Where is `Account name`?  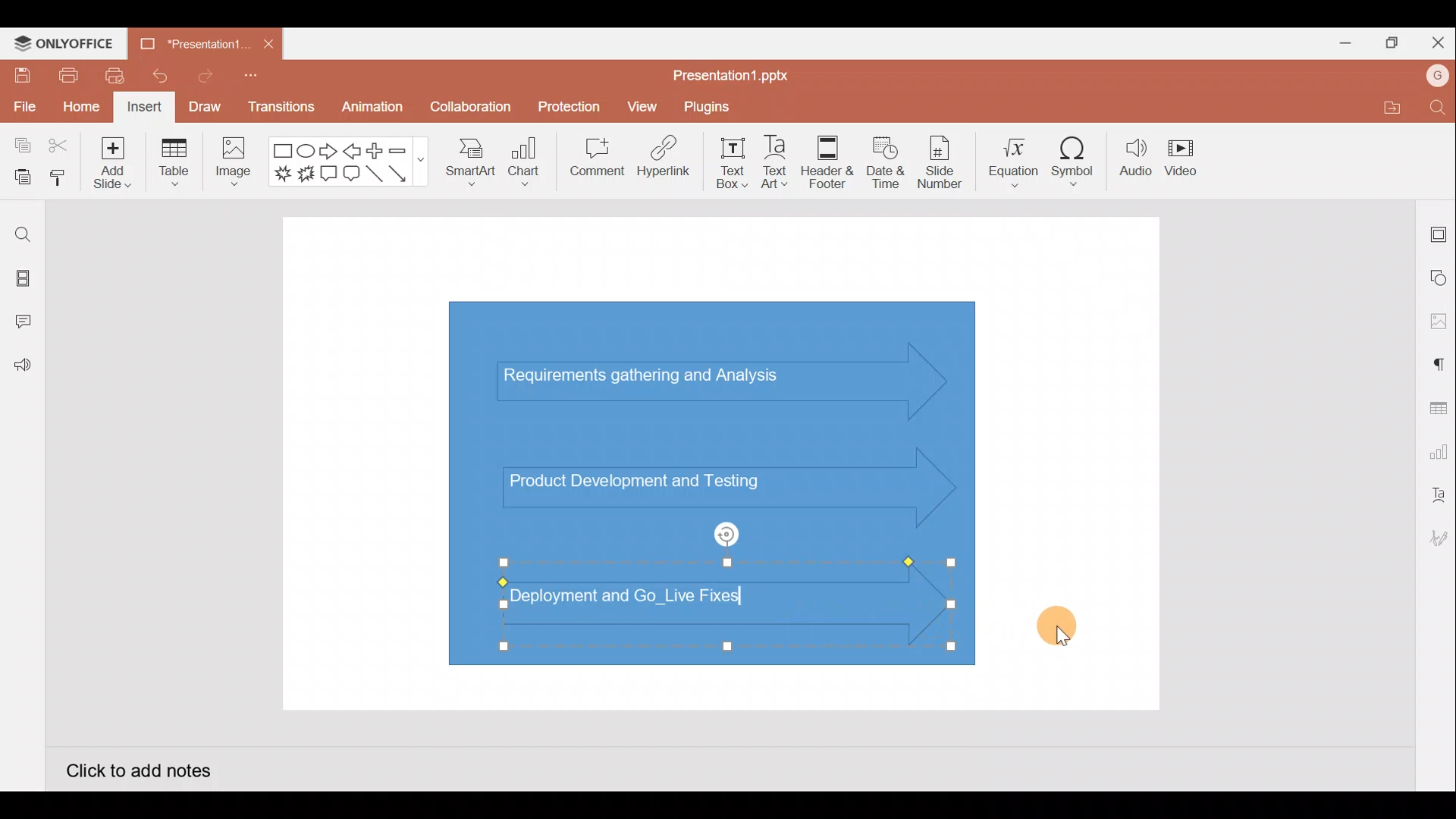
Account name is located at coordinates (1438, 76).